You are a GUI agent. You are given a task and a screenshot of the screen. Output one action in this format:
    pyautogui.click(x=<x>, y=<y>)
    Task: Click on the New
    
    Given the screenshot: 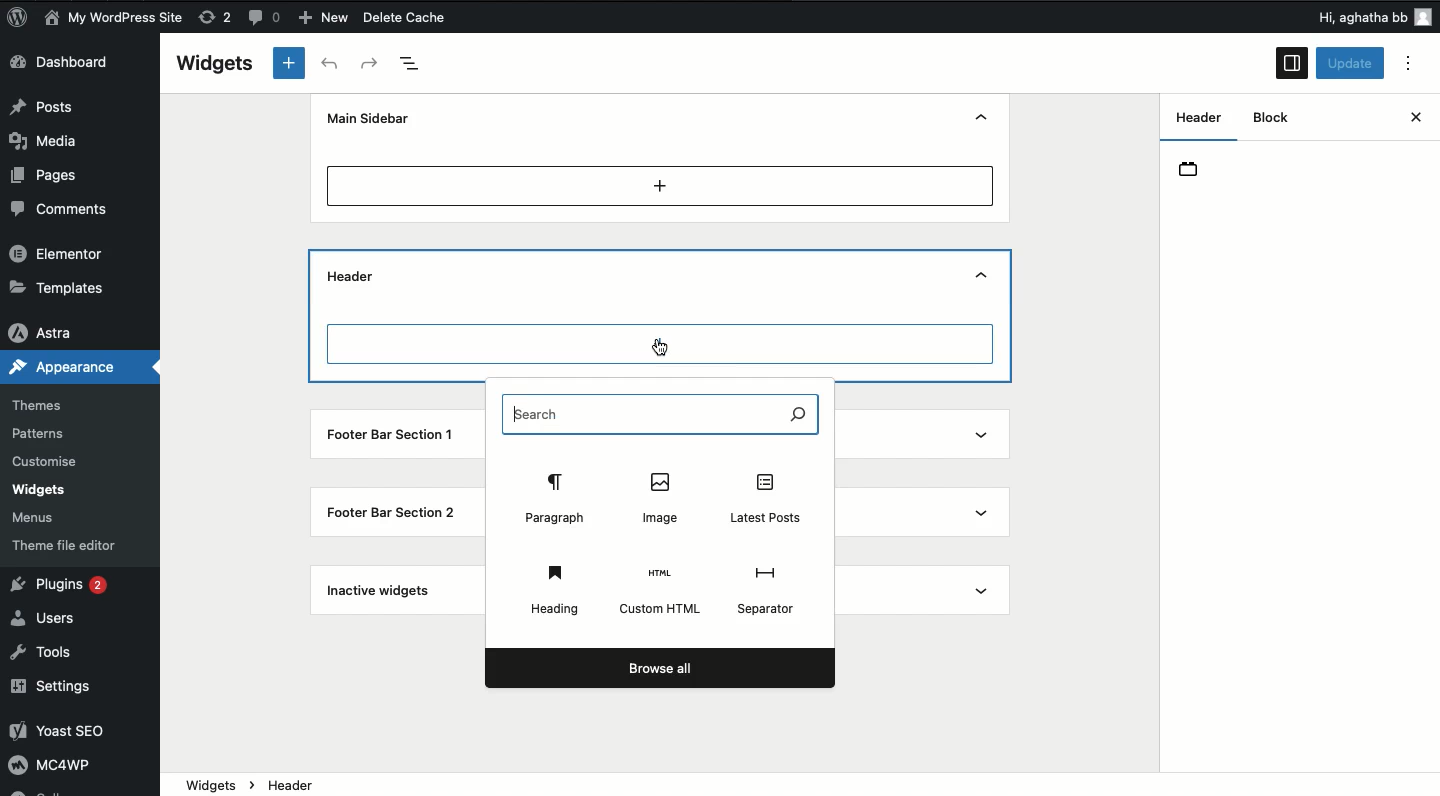 What is the action you would take?
    pyautogui.click(x=326, y=18)
    